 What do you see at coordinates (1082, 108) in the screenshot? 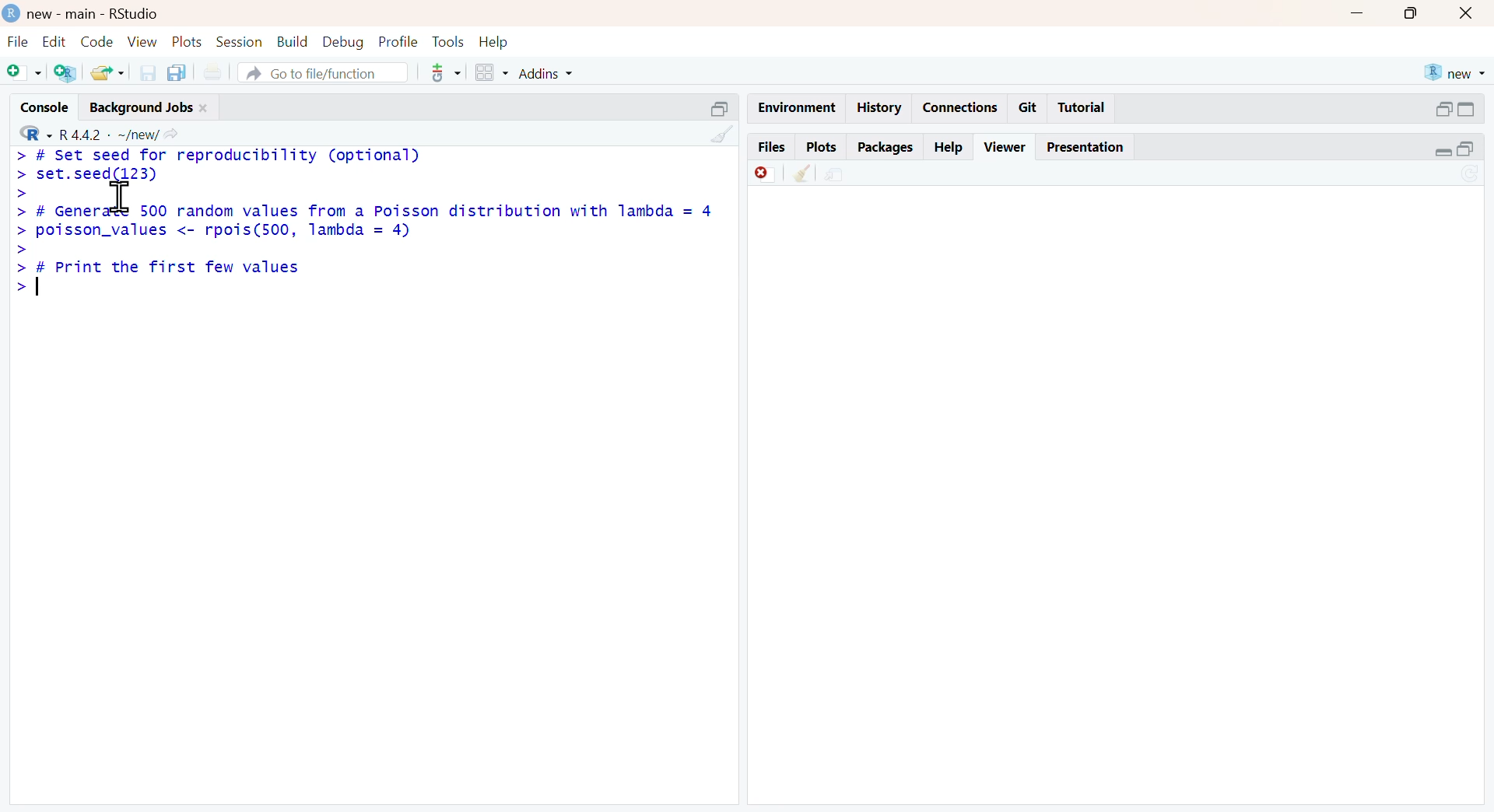
I see `tutorial` at bounding box center [1082, 108].